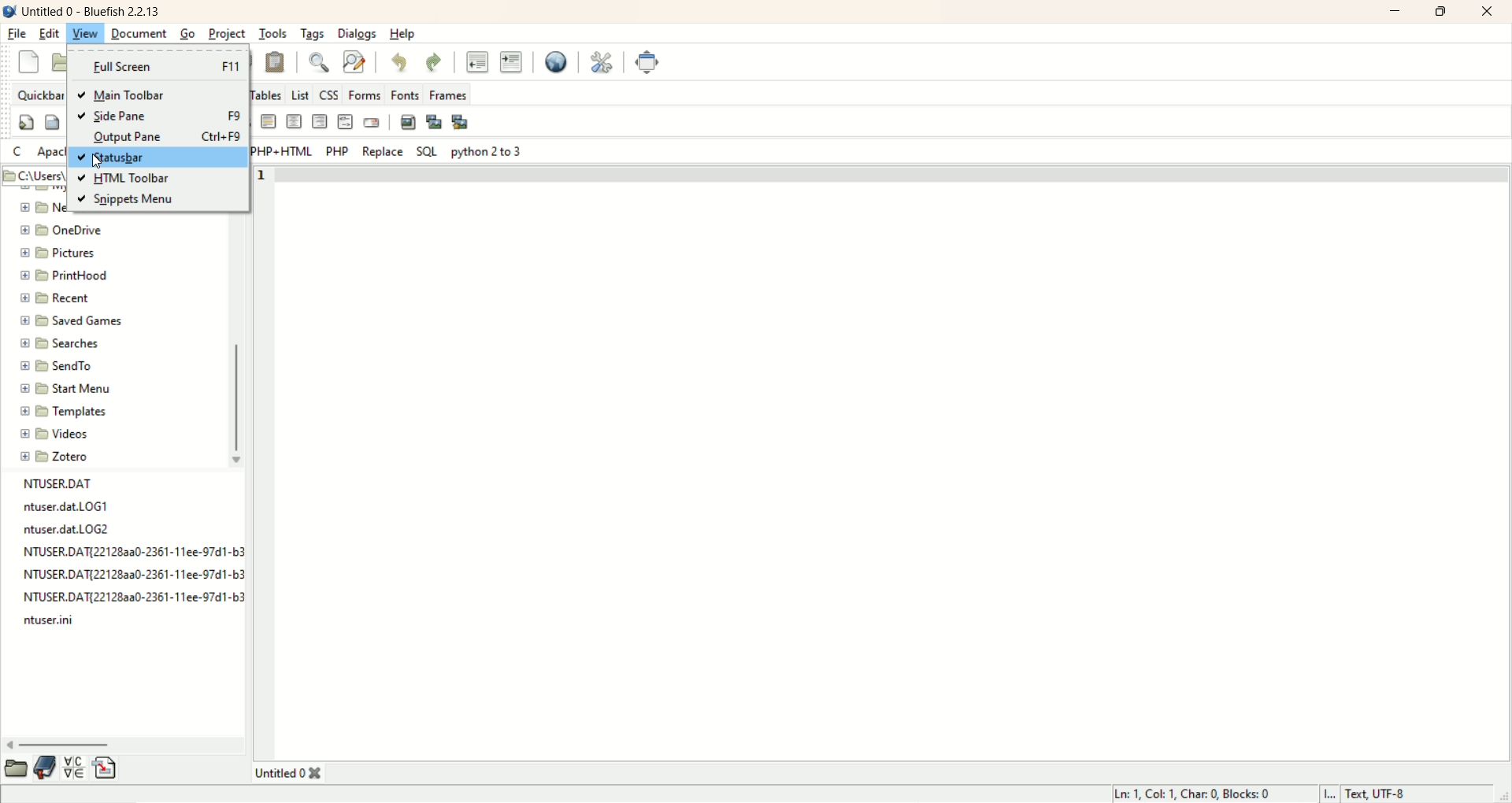 The image size is (1512, 803). Describe the element at coordinates (155, 158) in the screenshot. I see `statusbar` at that location.